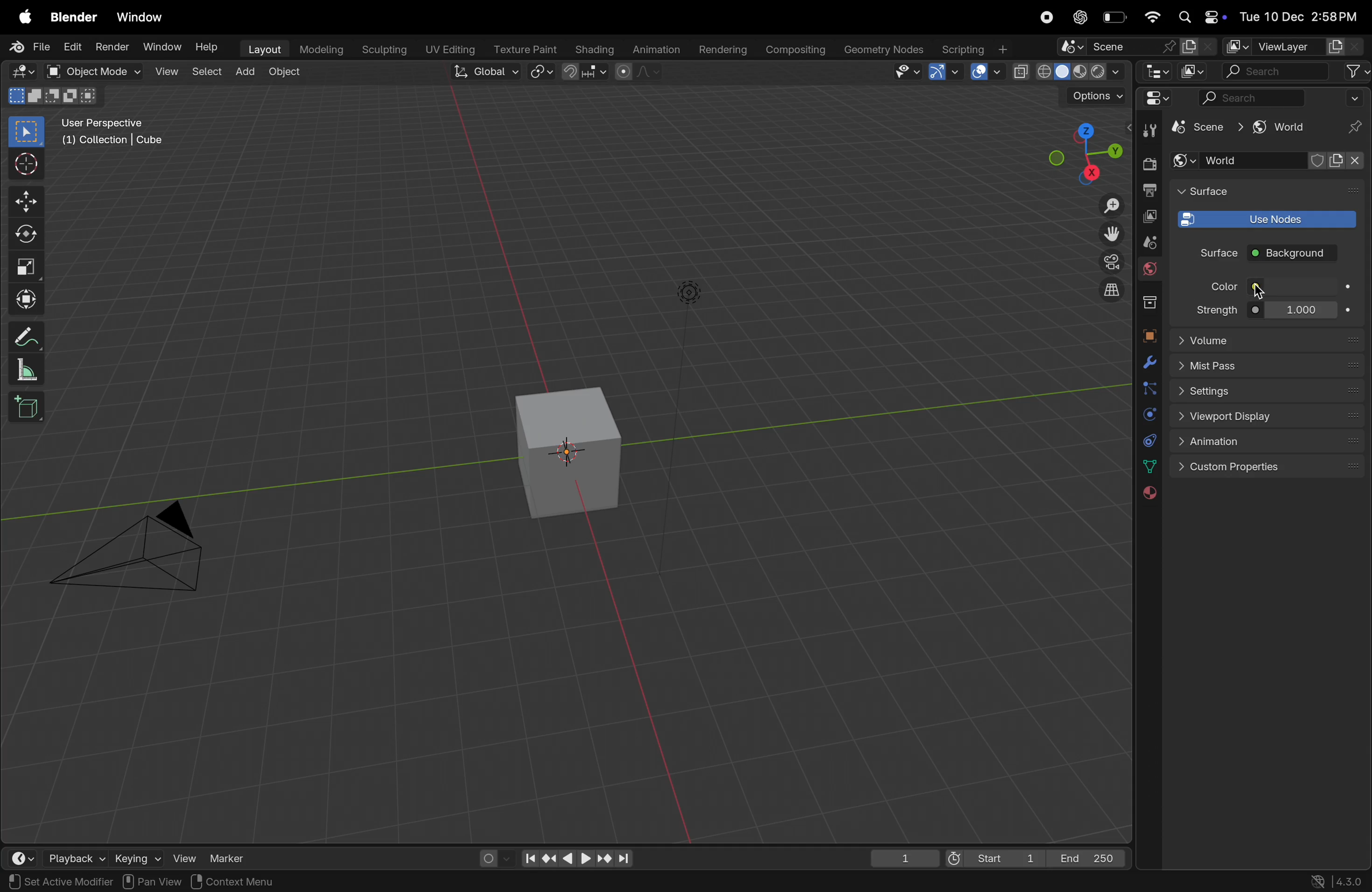 This screenshot has height=892, width=1372. Describe the element at coordinates (1299, 311) in the screenshot. I see `1000` at that location.